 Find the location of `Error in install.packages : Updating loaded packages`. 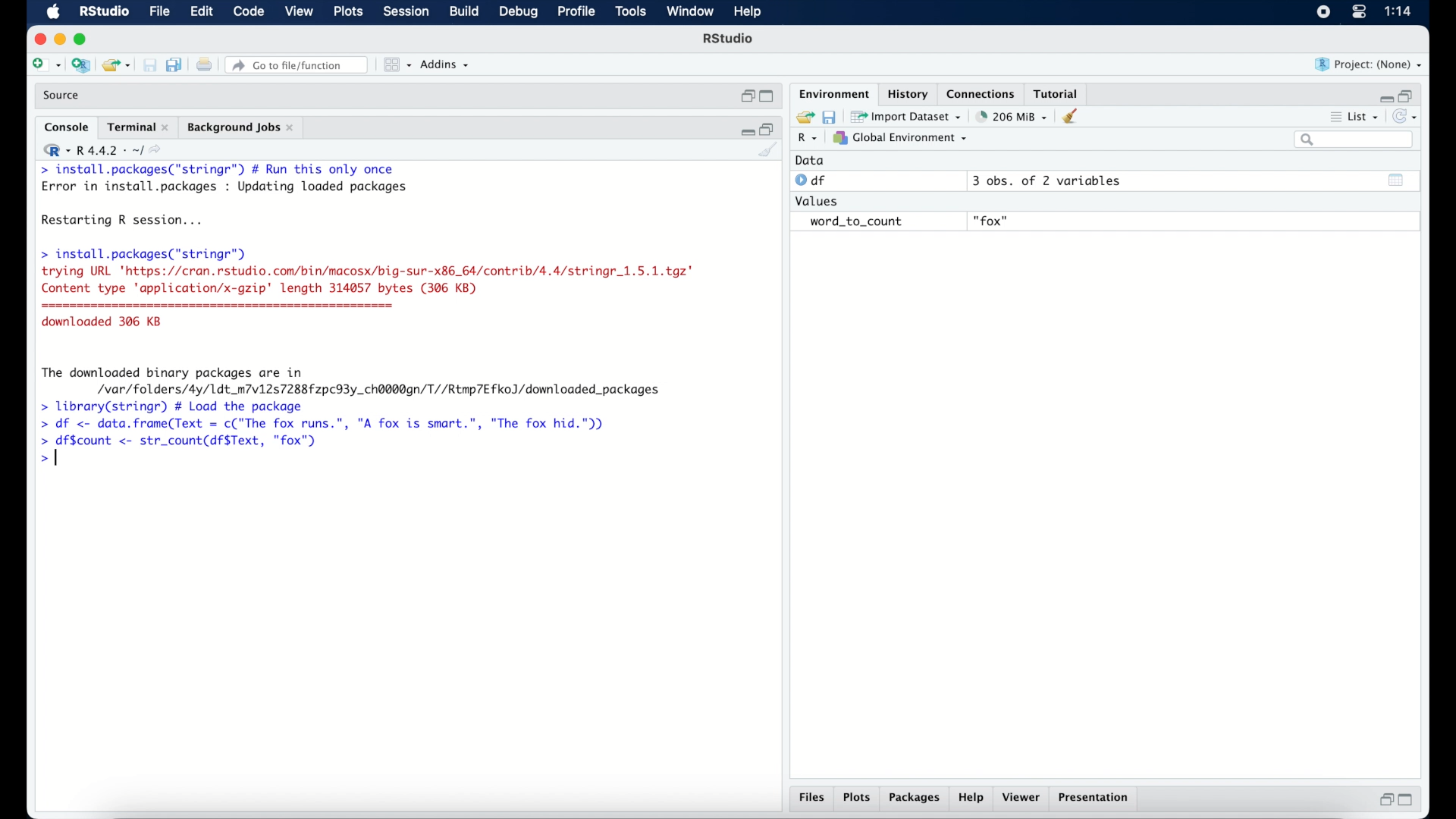

Error in install.packages : Updating loaded packages is located at coordinates (224, 187).